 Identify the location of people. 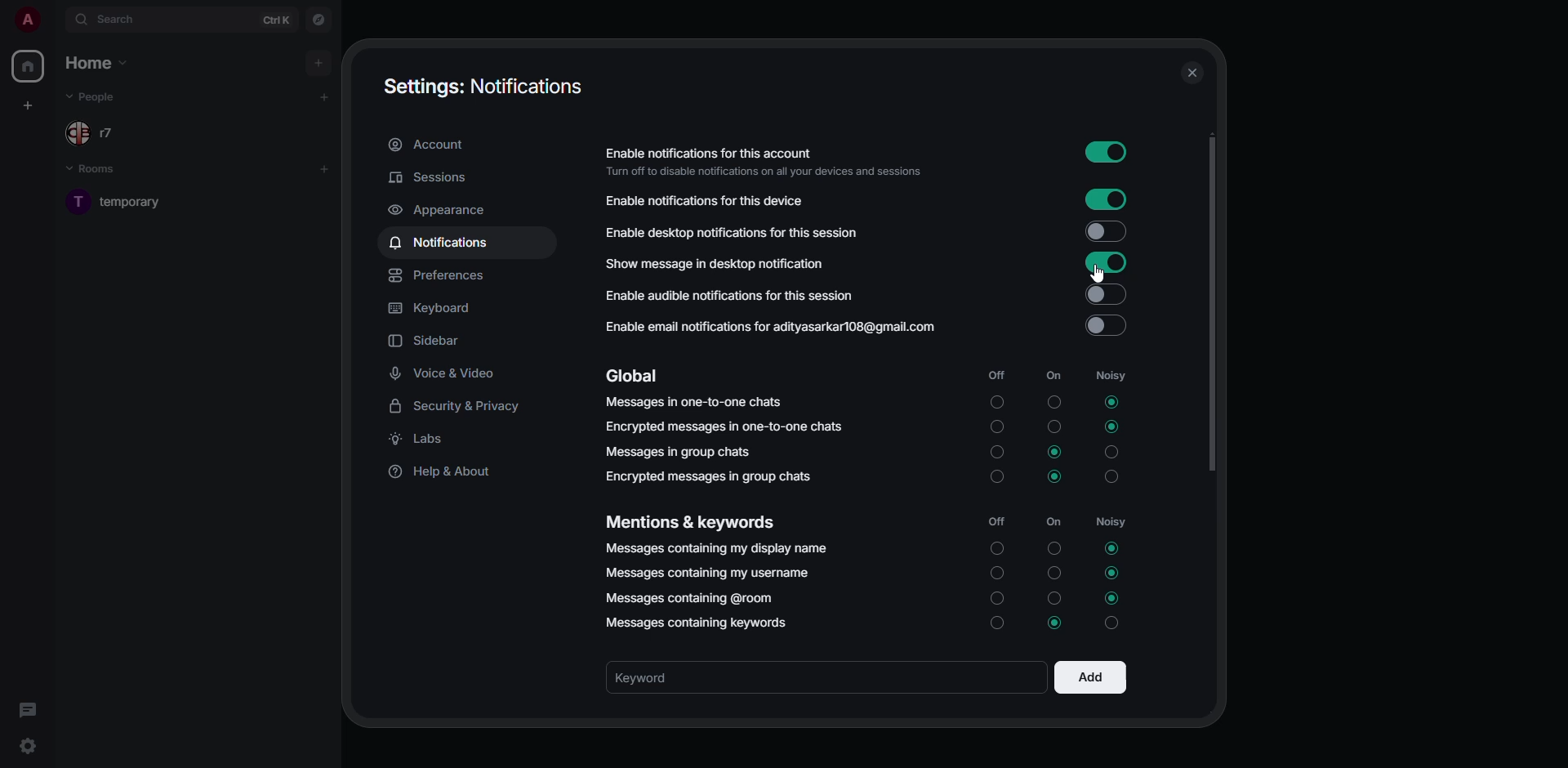
(95, 133).